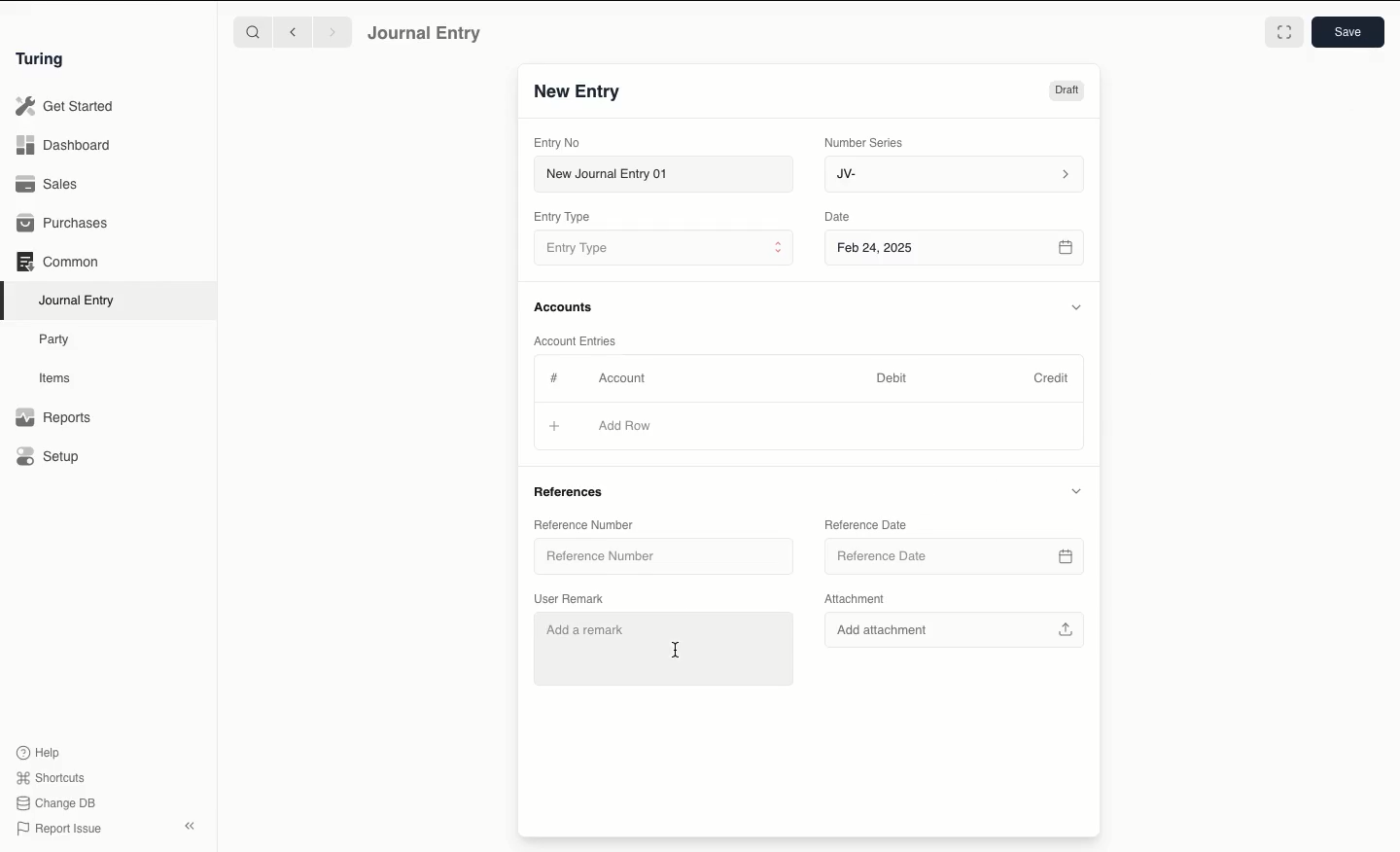 This screenshot has height=852, width=1400. I want to click on Backward, so click(293, 31).